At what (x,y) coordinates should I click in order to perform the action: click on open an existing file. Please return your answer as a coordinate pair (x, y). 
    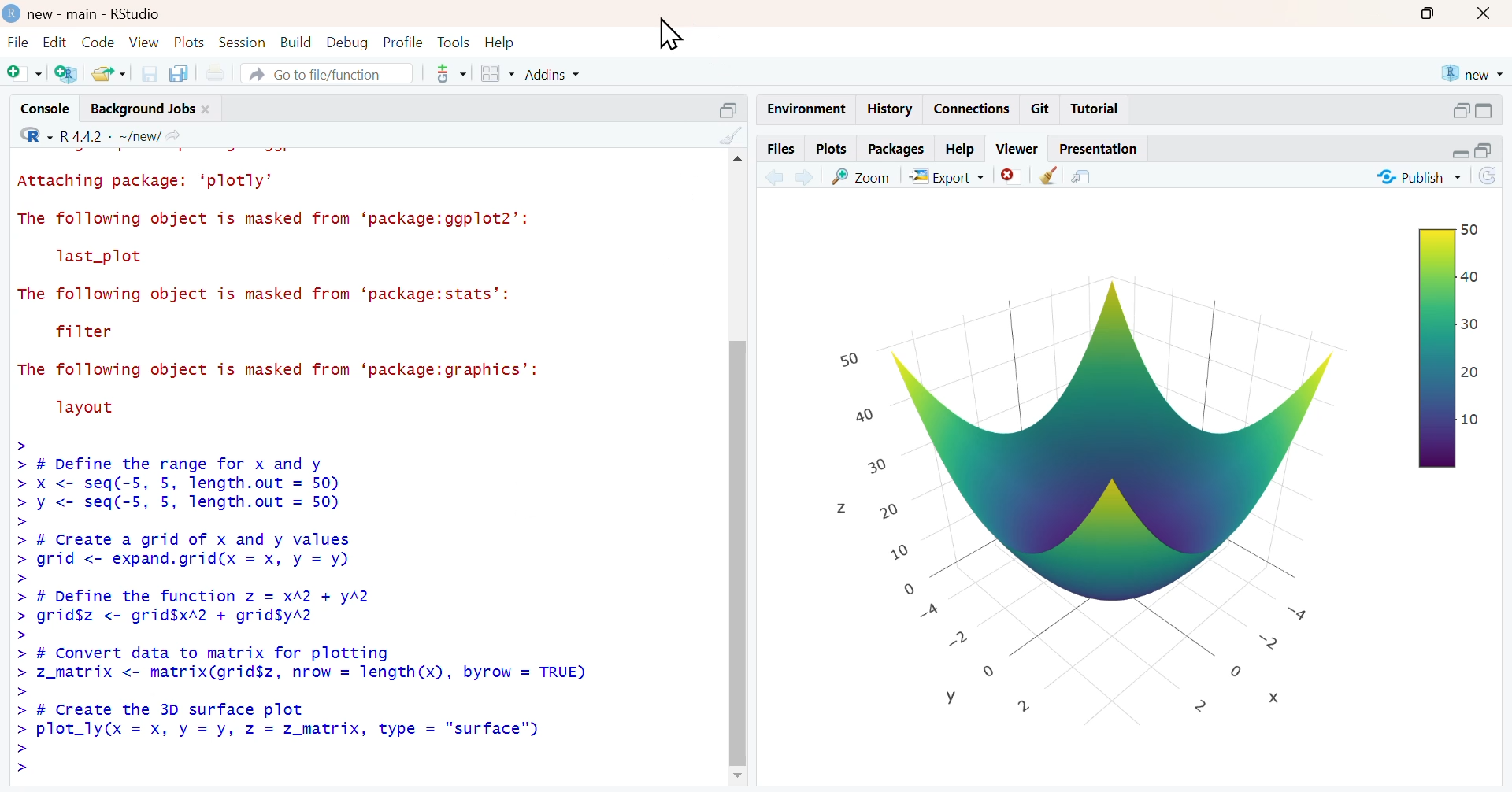
    Looking at the image, I should click on (108, 74).